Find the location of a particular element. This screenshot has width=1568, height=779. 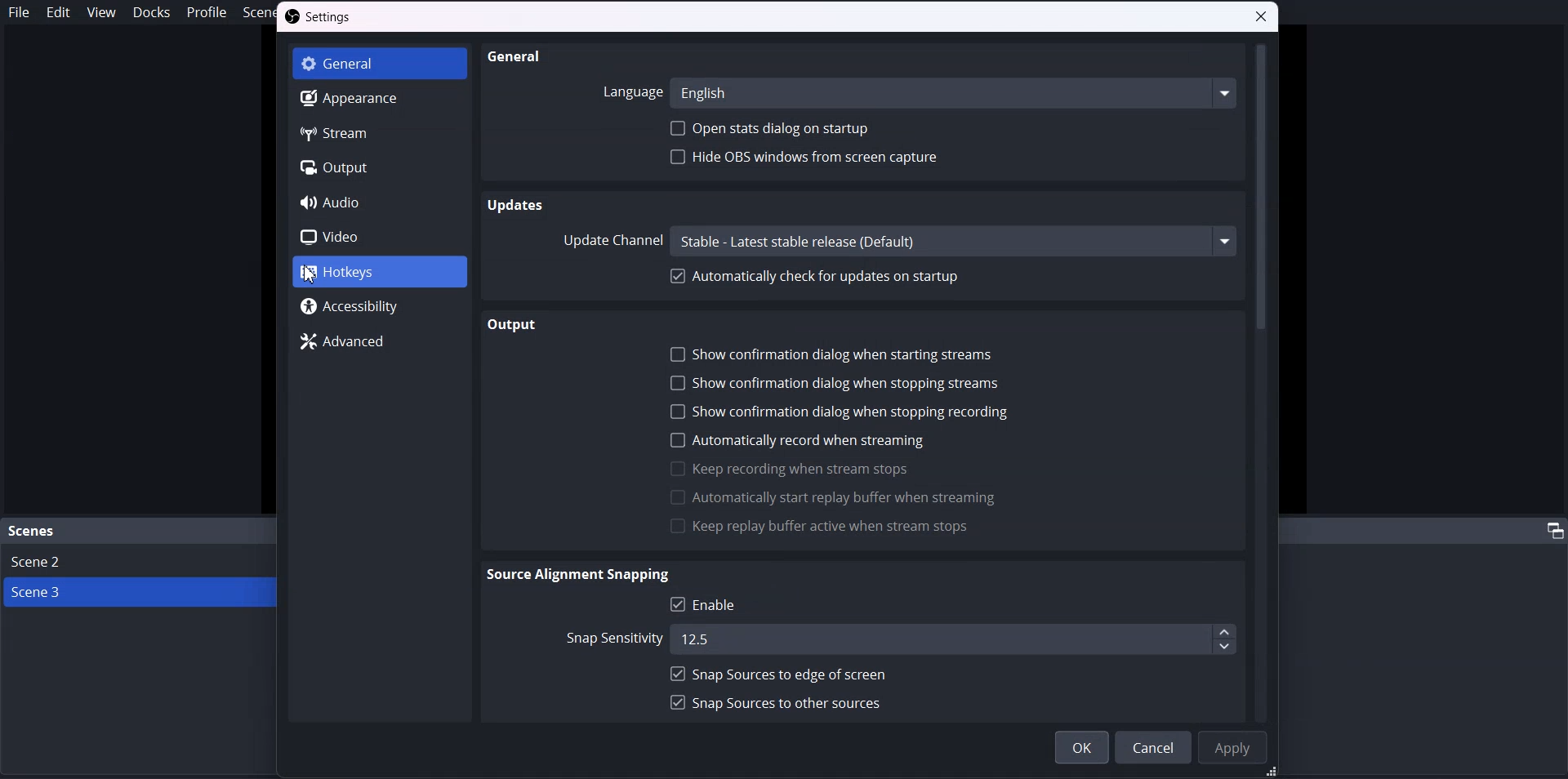

Apply is located at coordinates (1232, 748).